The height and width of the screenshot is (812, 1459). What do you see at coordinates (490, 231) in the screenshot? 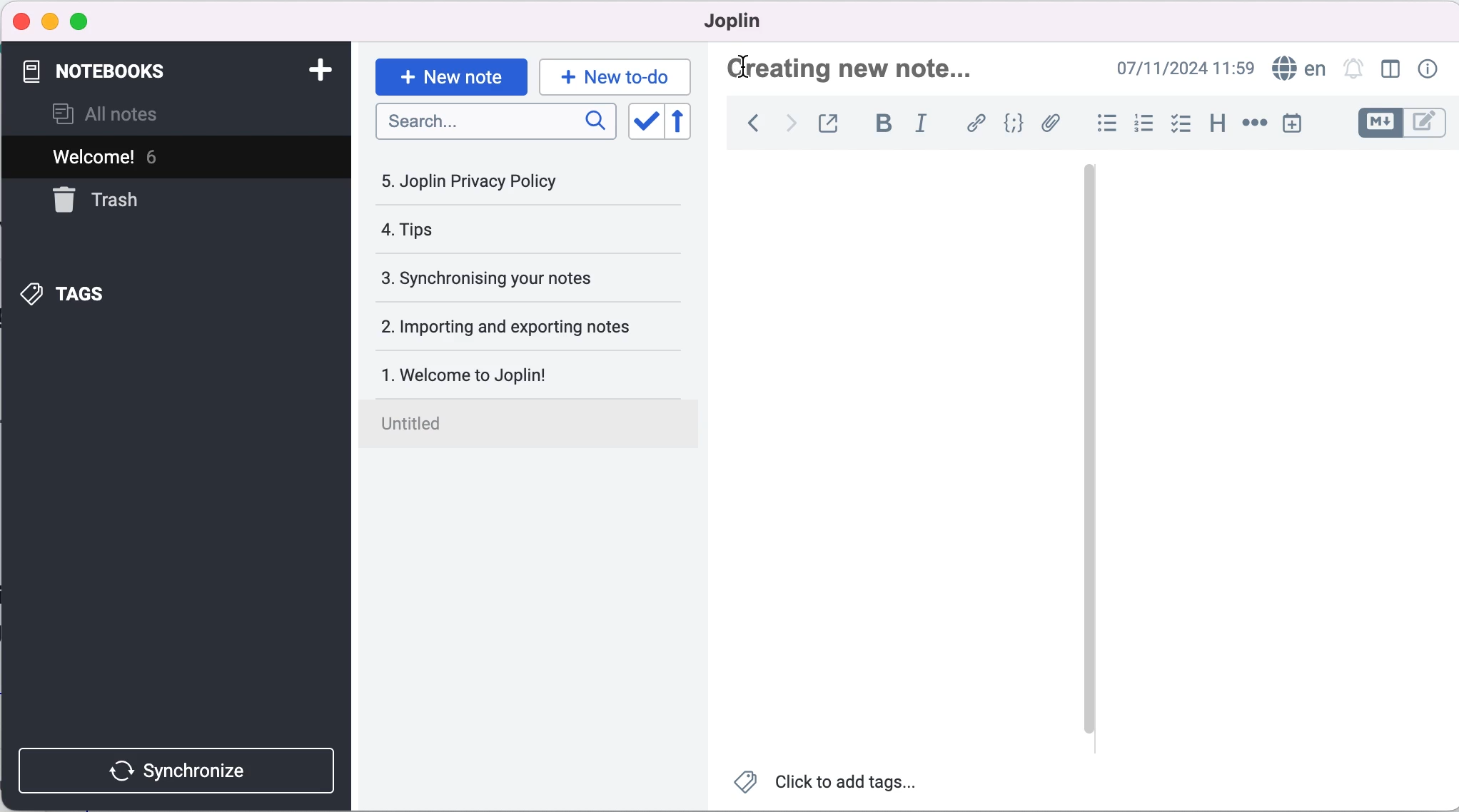
I see `tips` at bounding box center [490, 231].